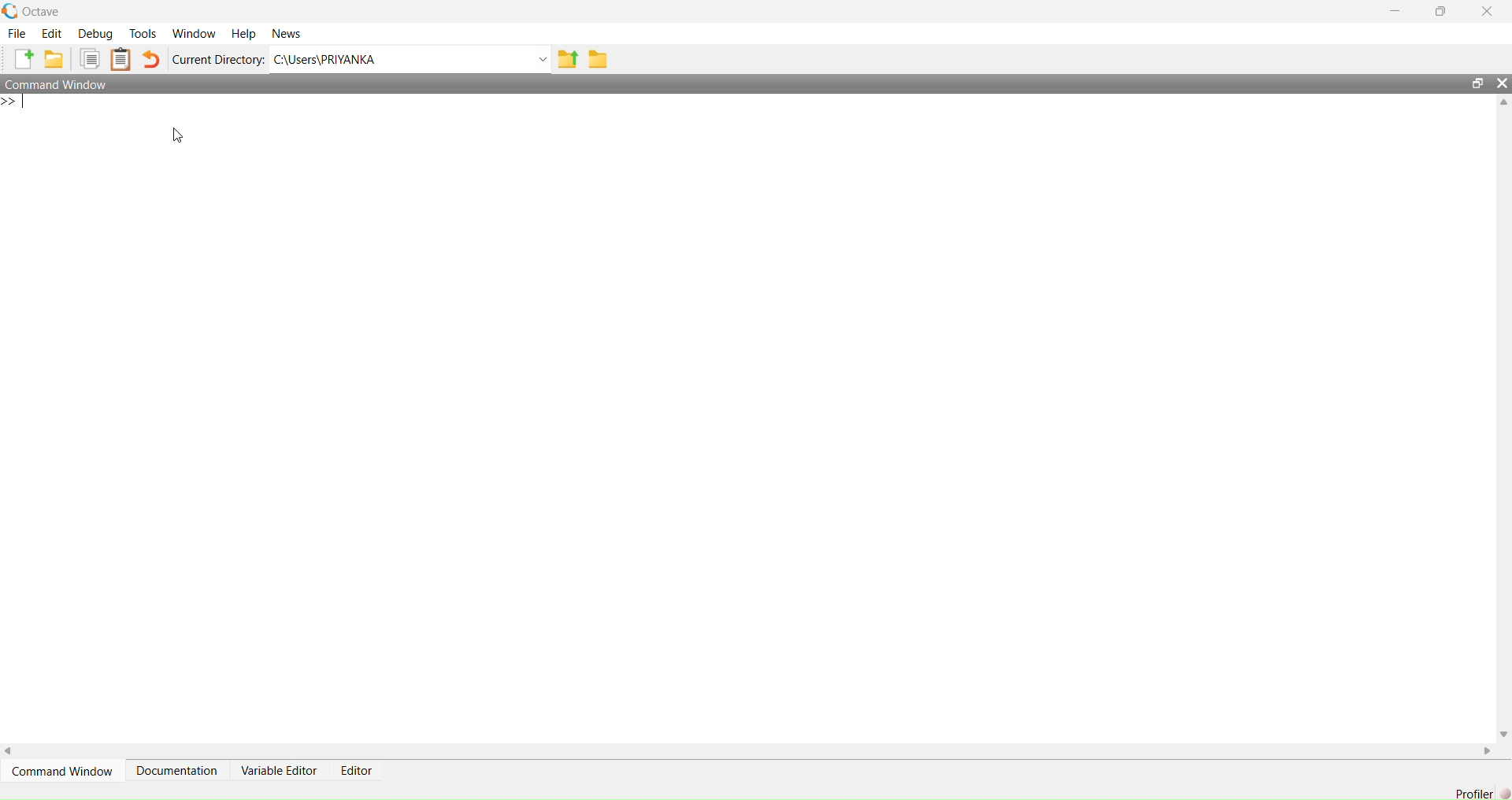 The image size is (1512, 800). Describe the element at coordinates (91, 61) in the screenshot. I see `copy` at that location.